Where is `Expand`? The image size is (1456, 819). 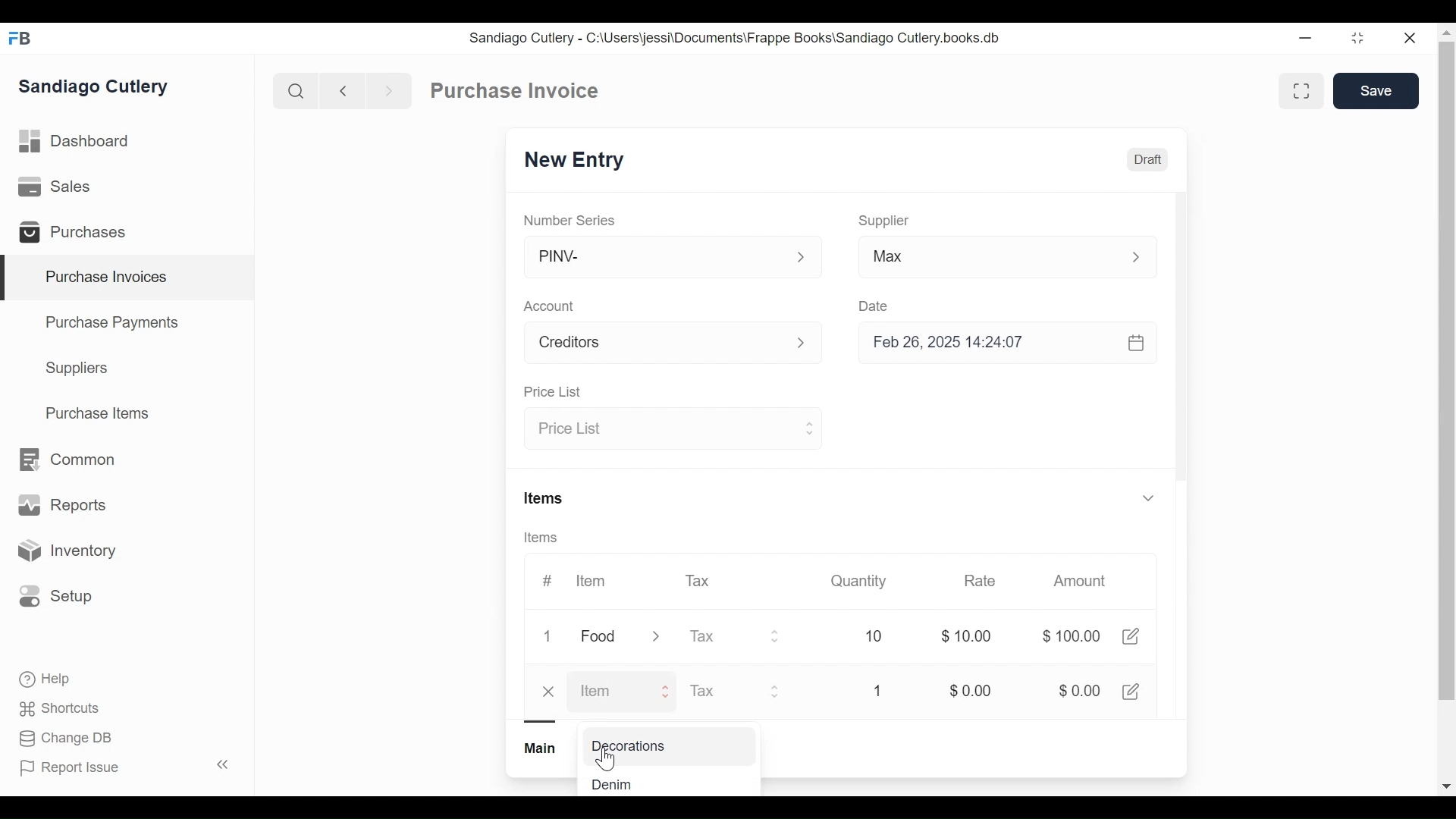
Expand is located at coordinates (811, 426).